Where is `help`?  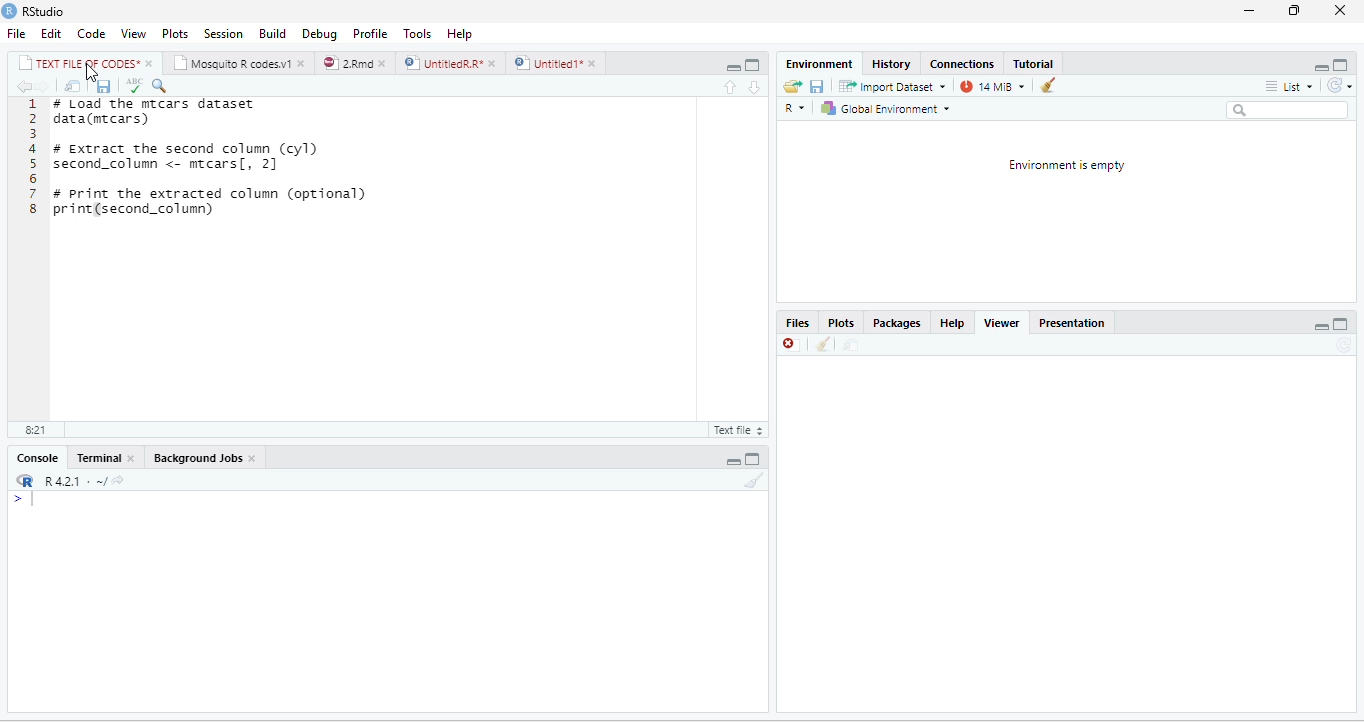
help is located at coordinates (458, 32).